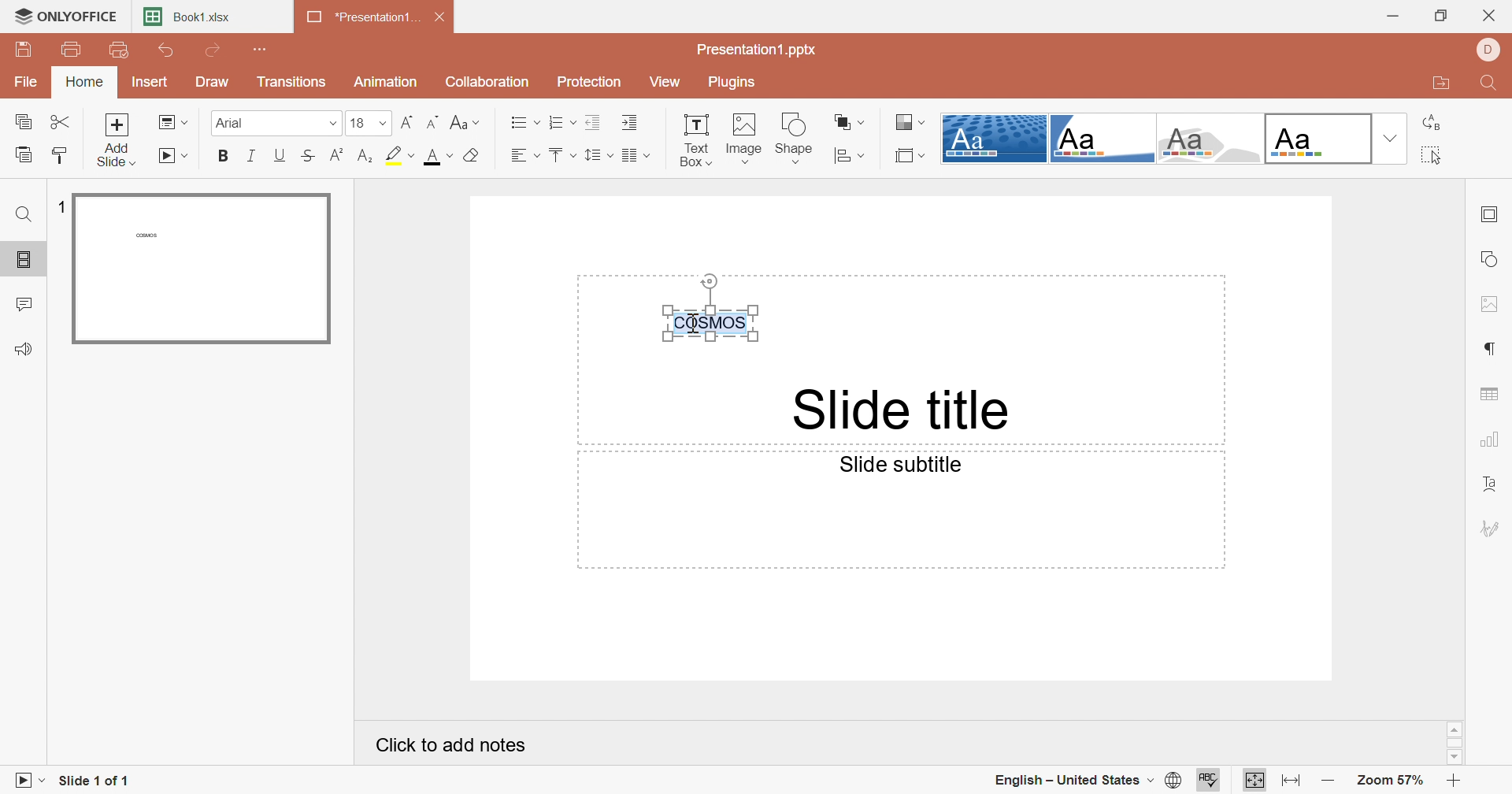  I want to click on Slide settings, so click(1494, 213).